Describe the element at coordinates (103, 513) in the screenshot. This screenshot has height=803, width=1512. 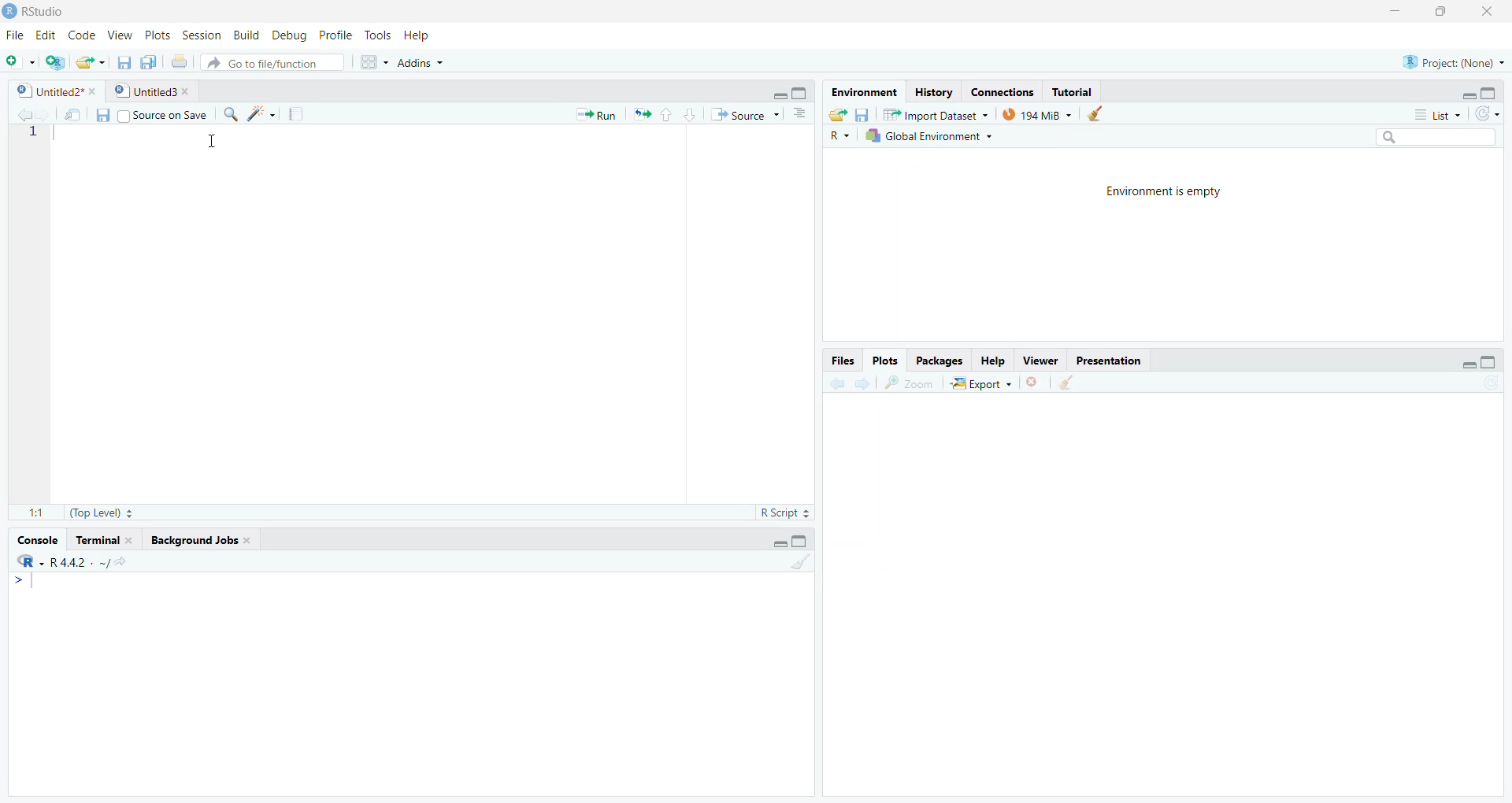
I see `(Top Level) ` at that location.